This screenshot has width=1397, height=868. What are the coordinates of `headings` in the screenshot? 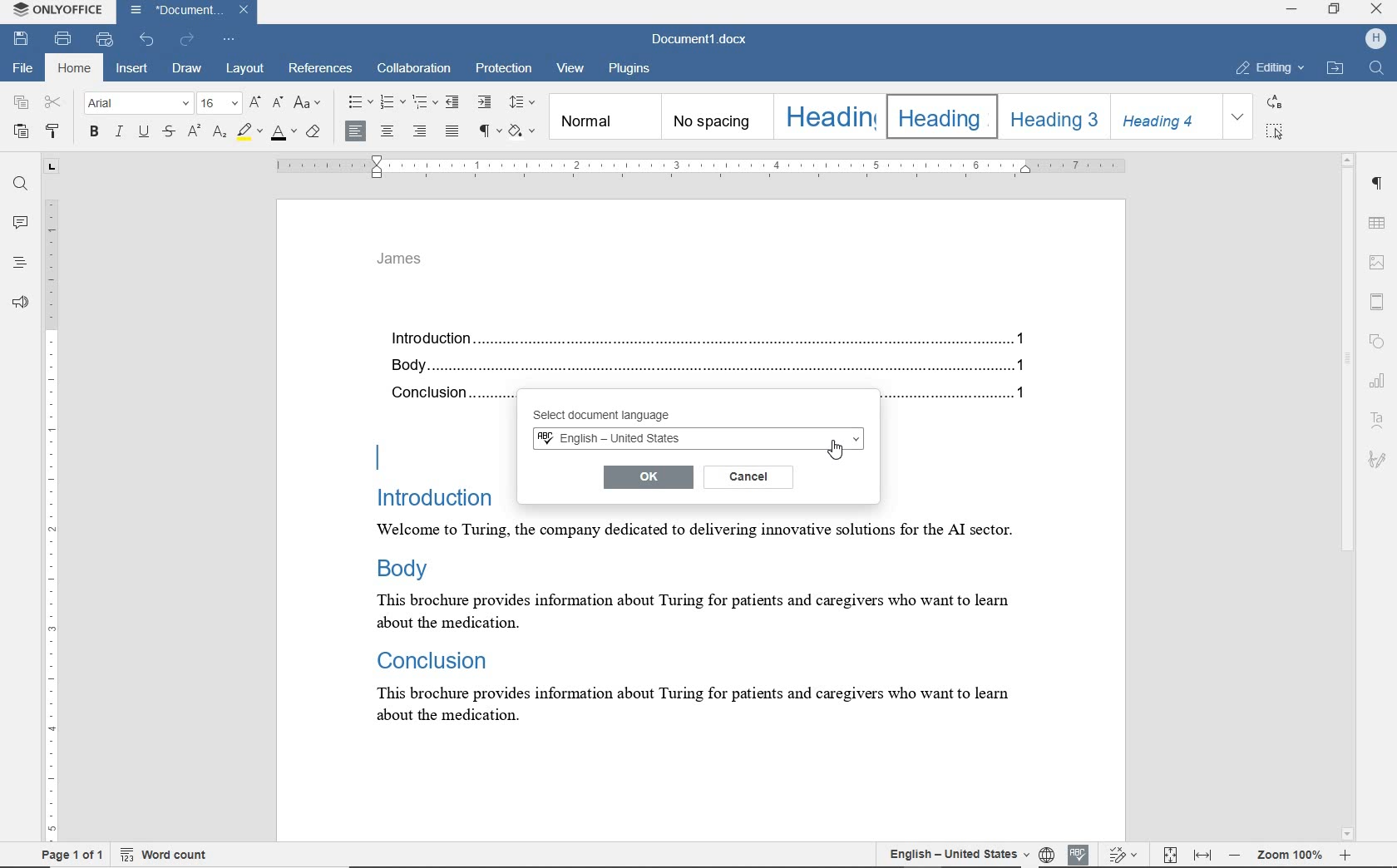 It's located at (19, 264).